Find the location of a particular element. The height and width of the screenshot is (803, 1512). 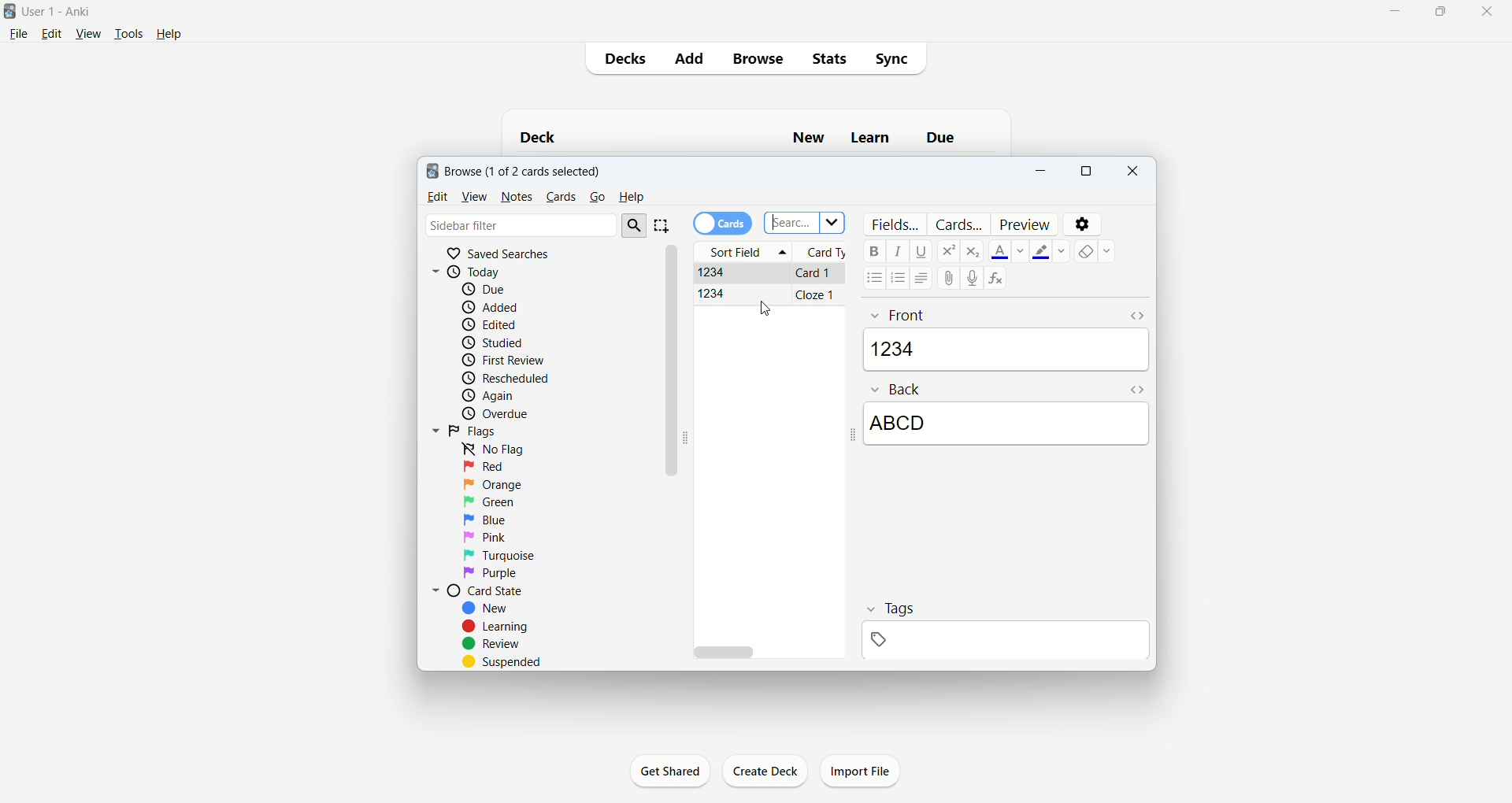

reschedule is located at coordinates (504, 378).